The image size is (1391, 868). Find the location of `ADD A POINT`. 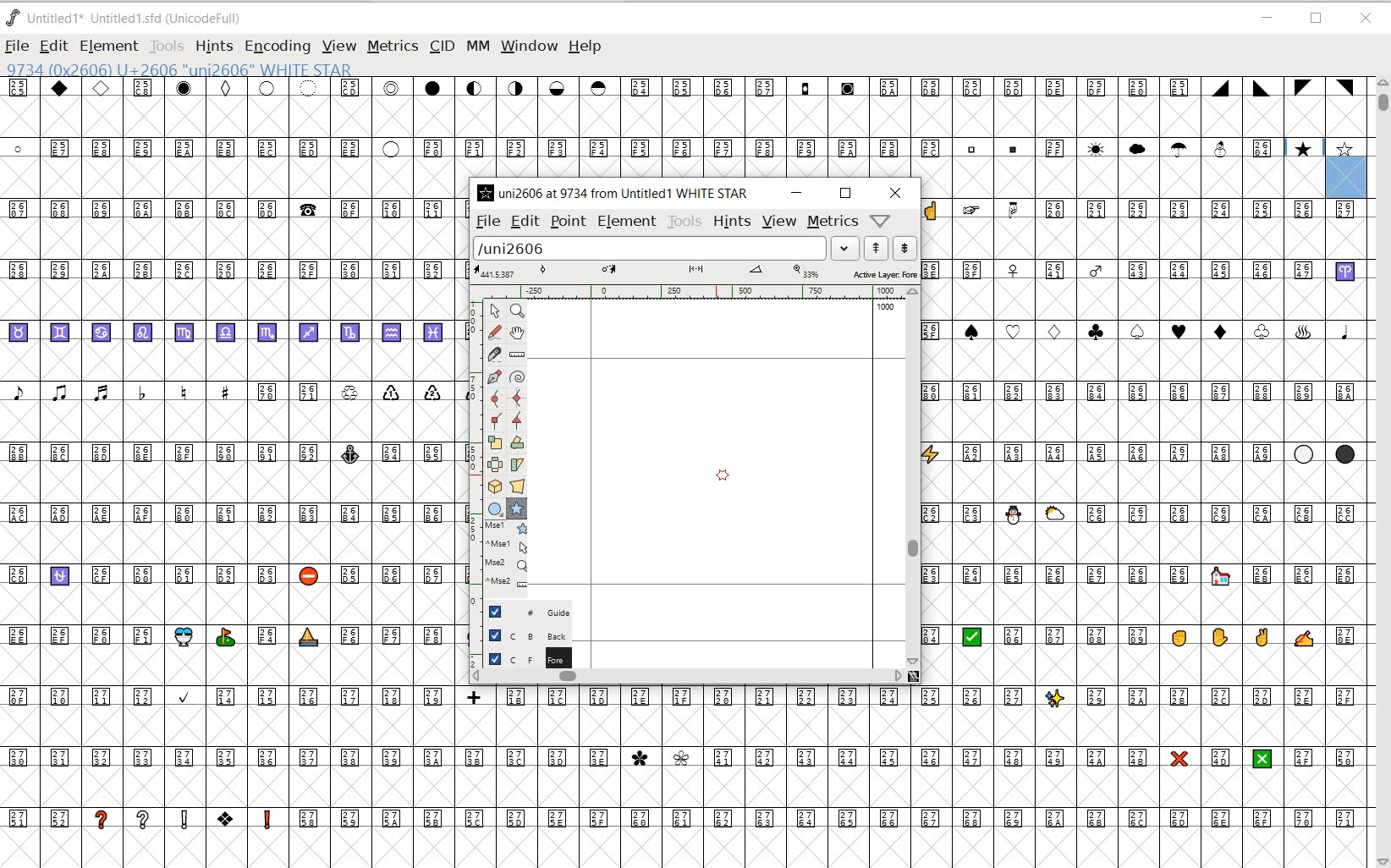

ADD A POINT is located at coordinates (496, 376).